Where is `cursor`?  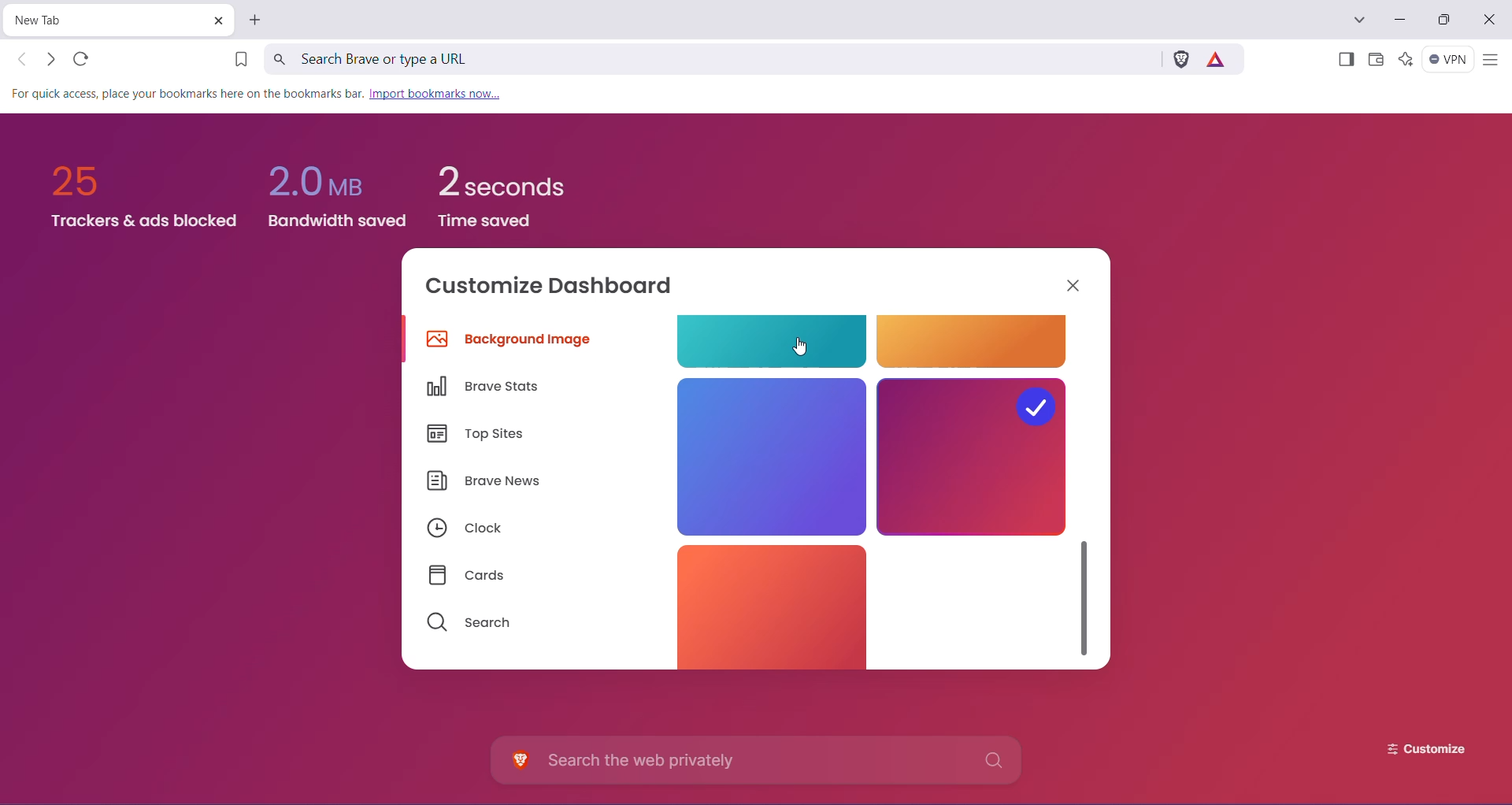 cursor is located at coordinates (801, 347).